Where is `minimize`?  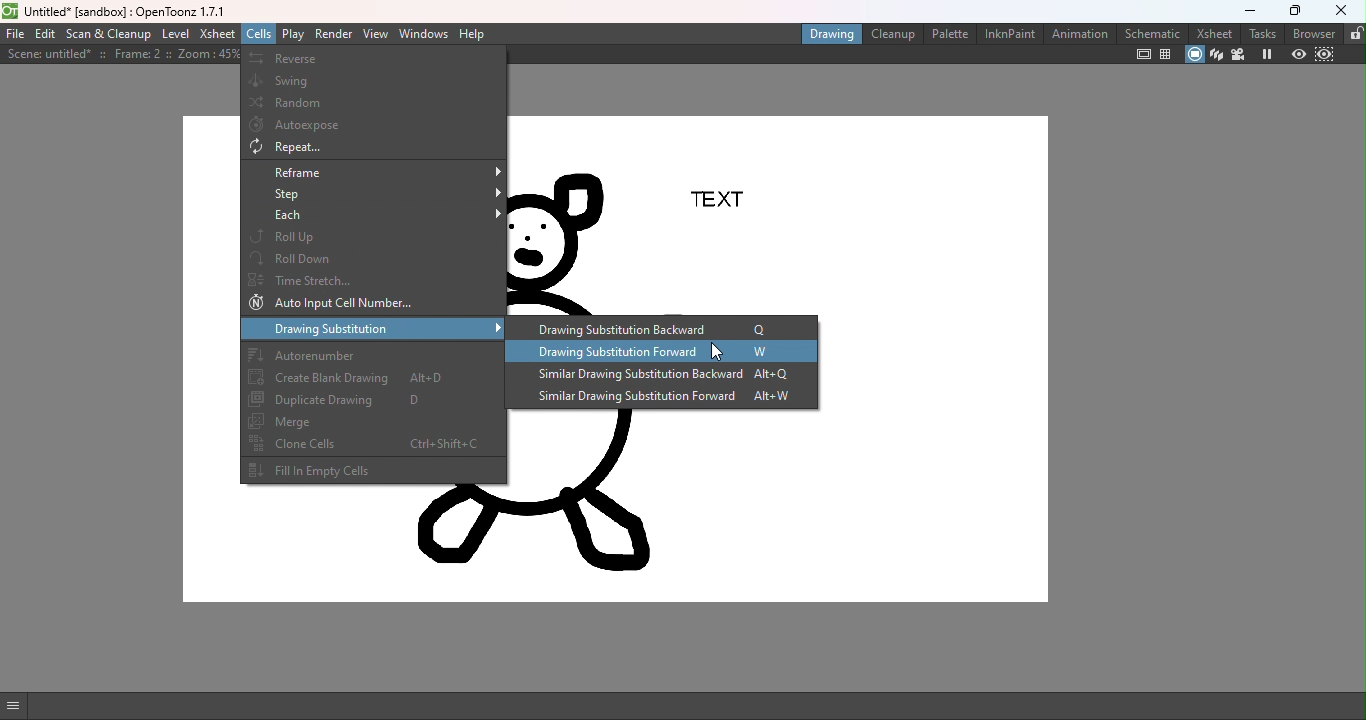 minimize is located at coordinates (1248, 12).